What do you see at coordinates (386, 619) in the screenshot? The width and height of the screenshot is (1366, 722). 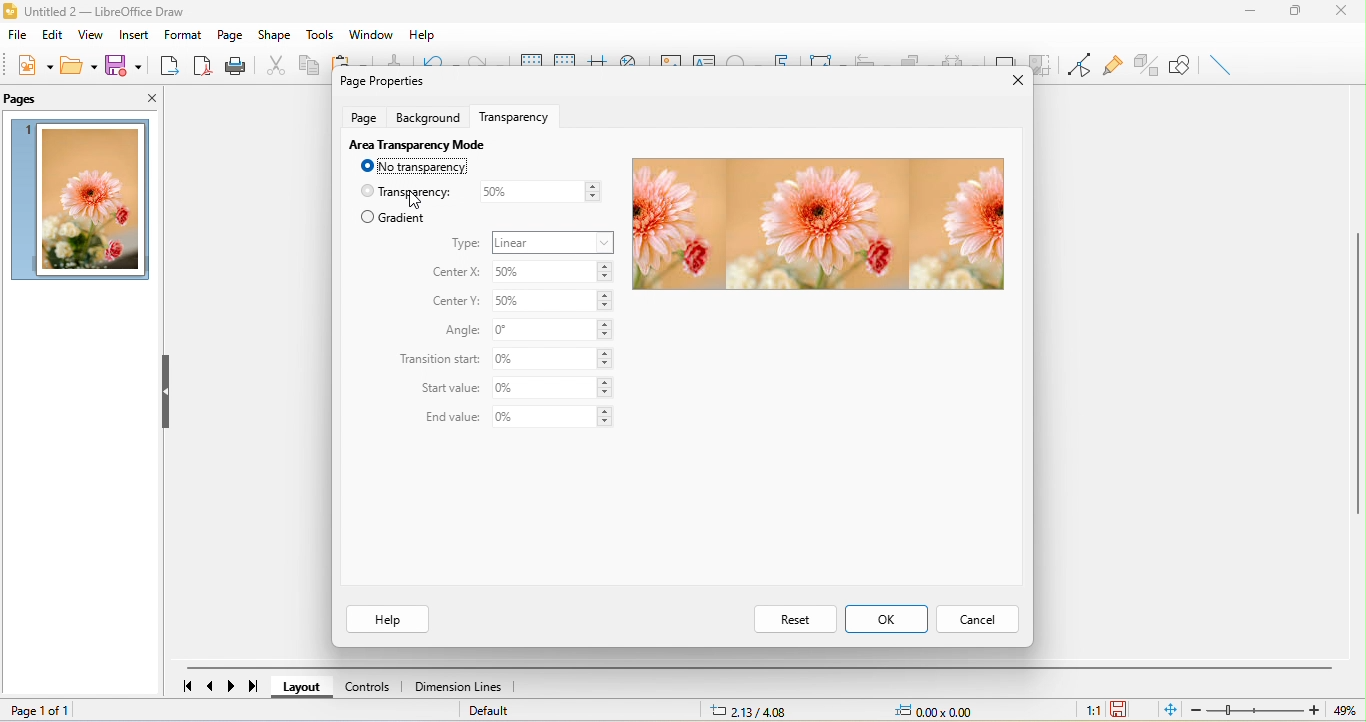 I see `help` at bounding box center [386, 619].